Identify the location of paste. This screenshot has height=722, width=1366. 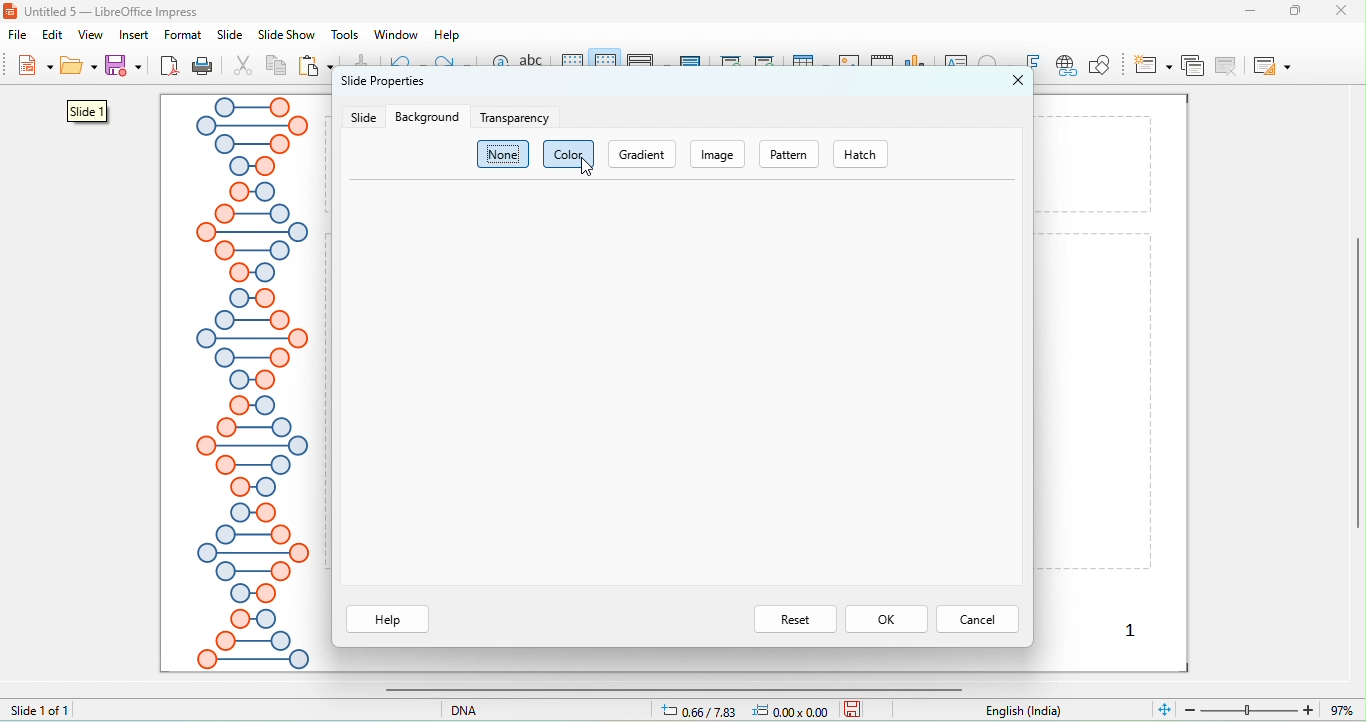
(317, 67).